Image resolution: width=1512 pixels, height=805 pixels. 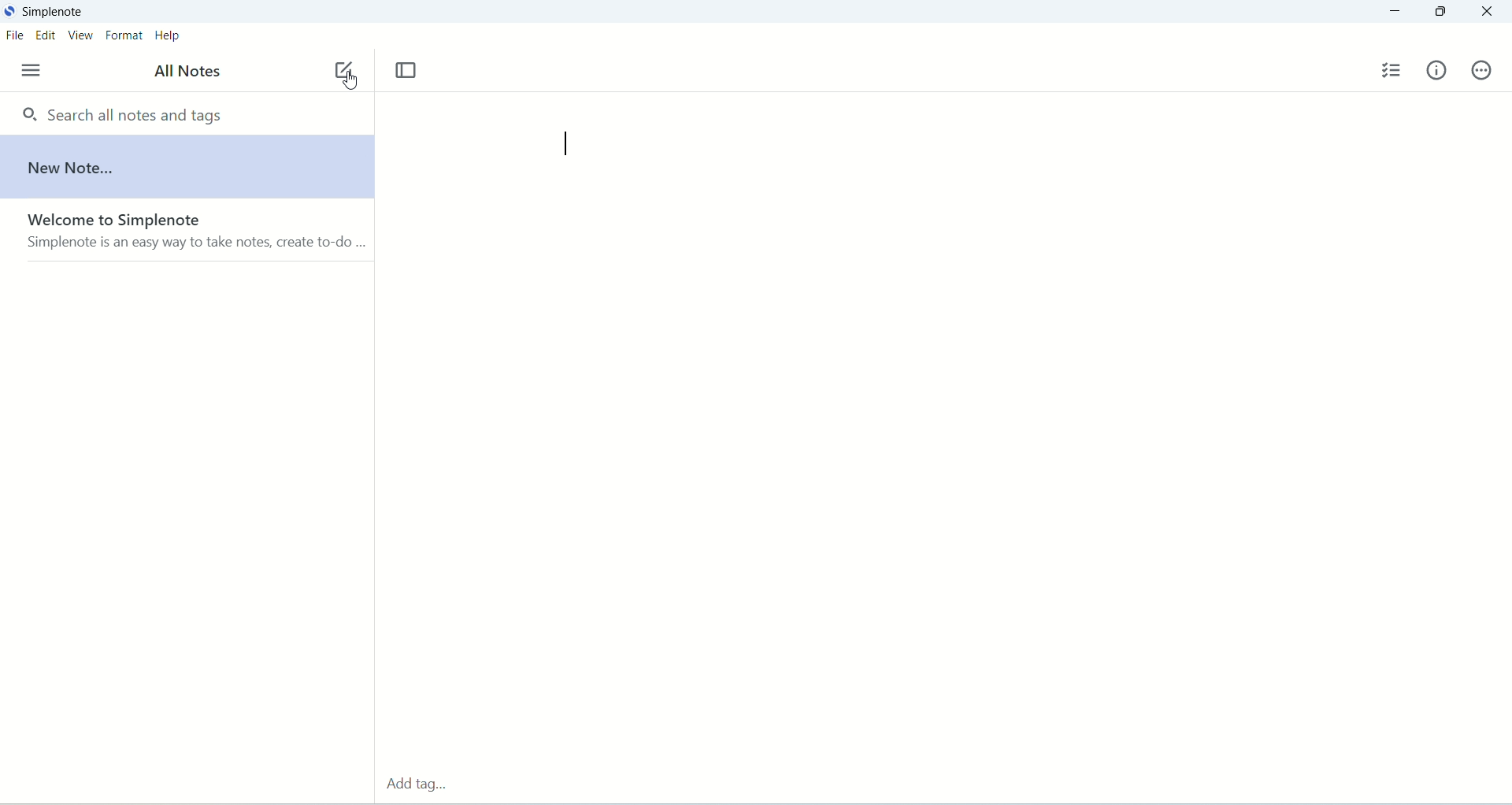 What do you see at coordinates (1391, 71) in the screenshot?
I see `insert checklist` at bounding box center [1391, 71].